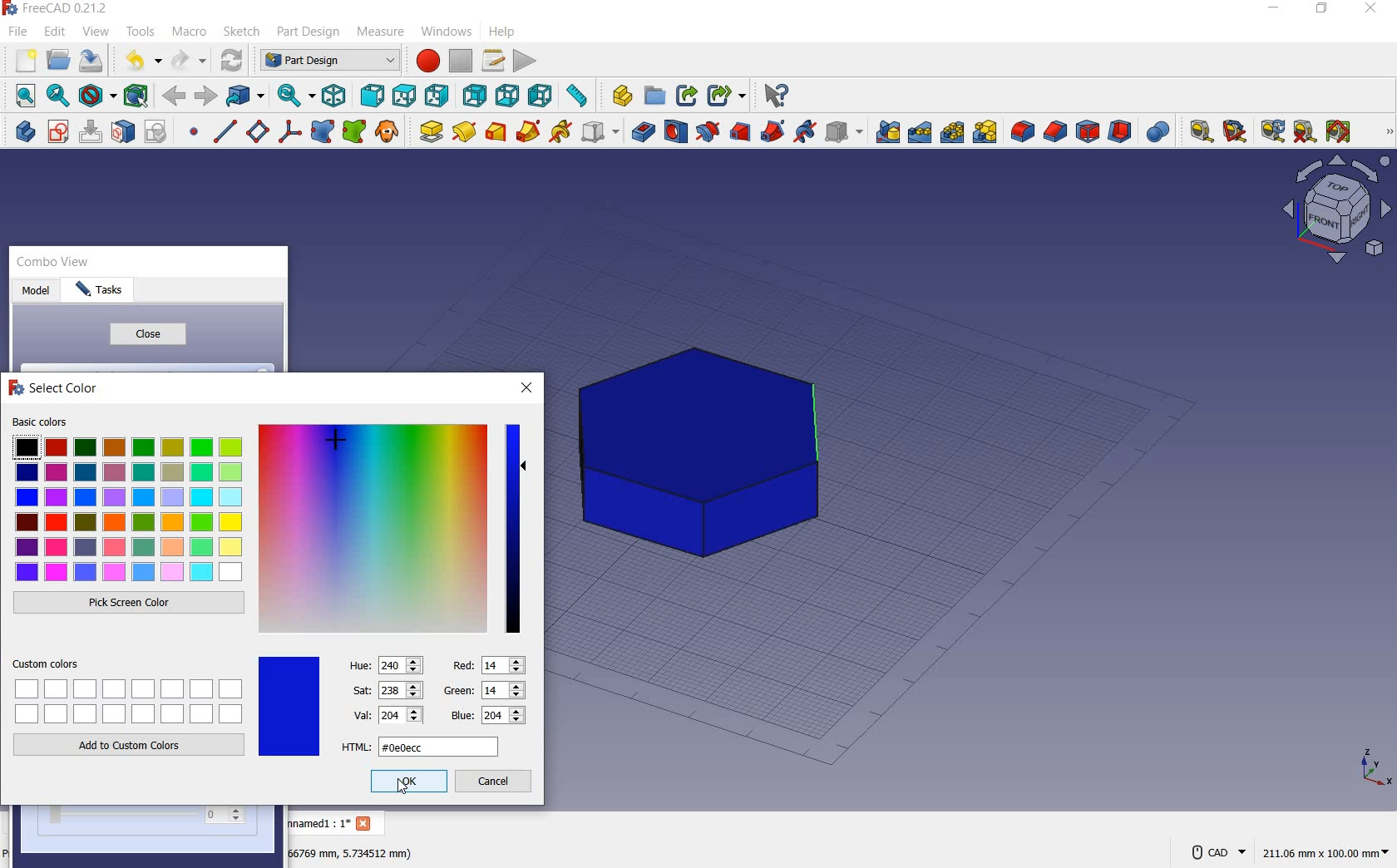 The width and height of the screenshot is (1397, 868). What do you see at coordinates (53, 31) in the screenshot?
I see `edit` at bounding box center [53, 31].